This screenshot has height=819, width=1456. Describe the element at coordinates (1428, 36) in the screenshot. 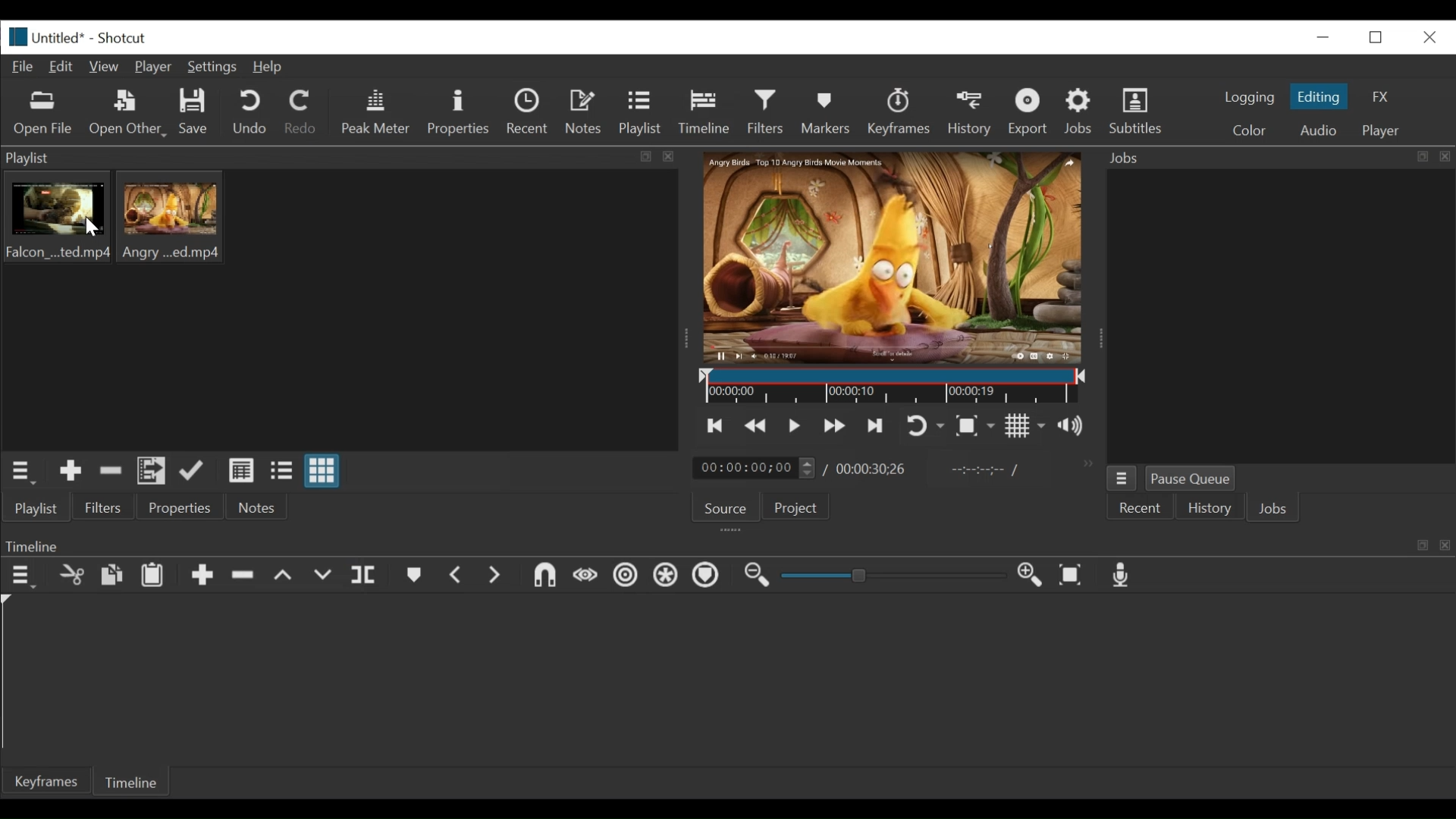

I see `close` at that location.